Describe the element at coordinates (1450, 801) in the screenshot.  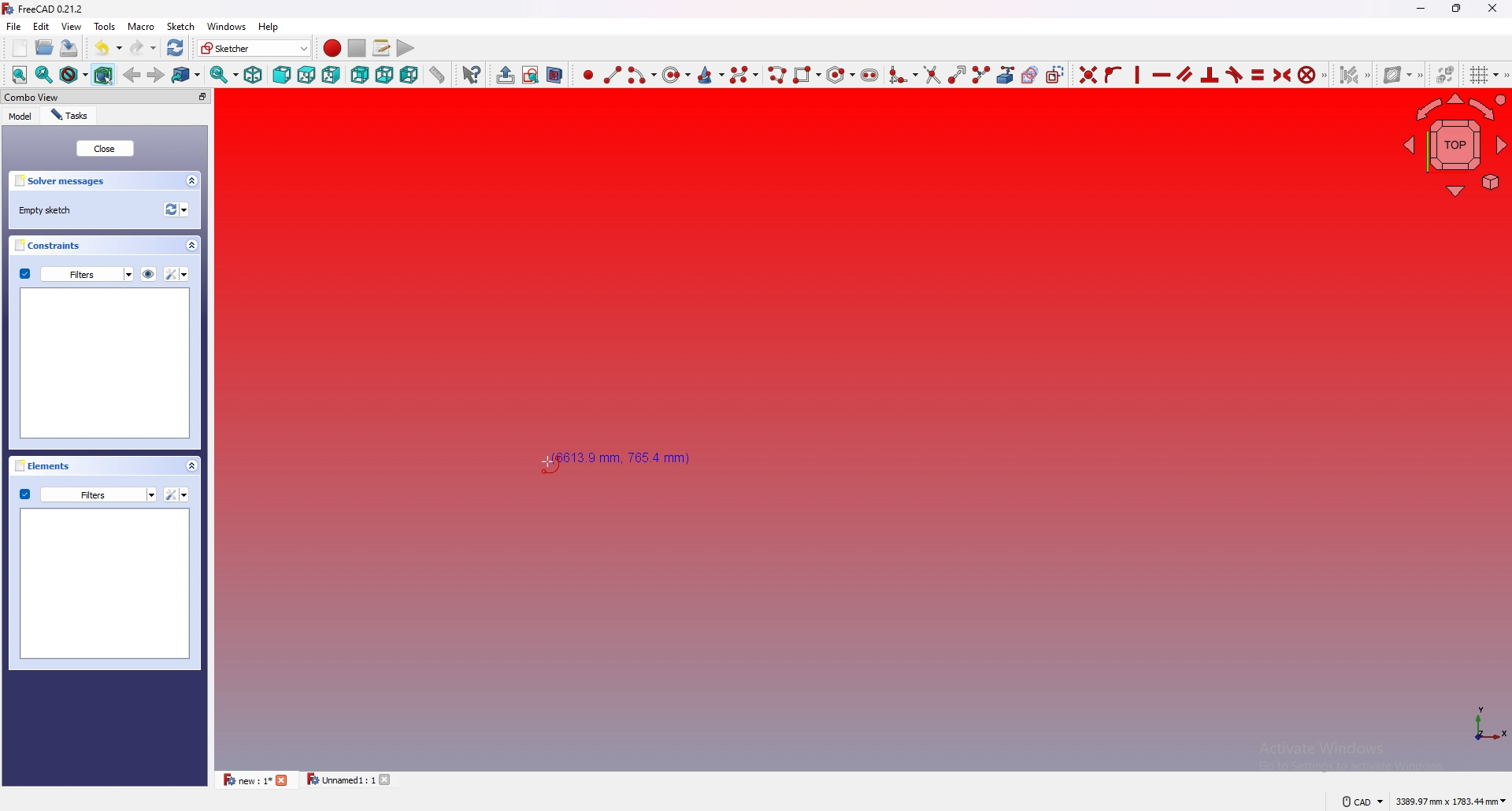
I see `3389.97 mm x 1783.44 mm` at that location.